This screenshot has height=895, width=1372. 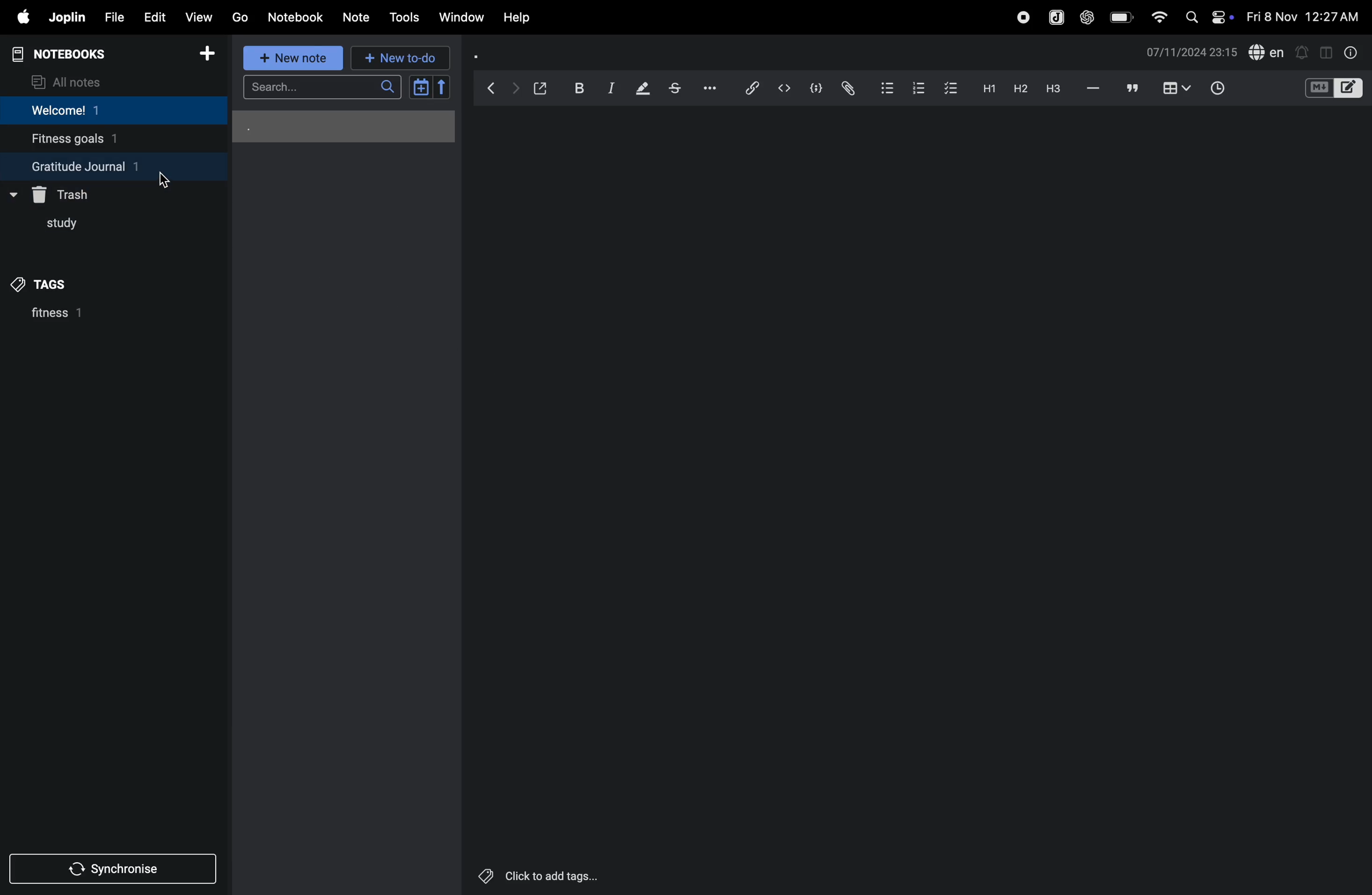 What do you see at coordinates (49, 284) in the screenshot?
I see `tags ` at bounding box center [49, 284].